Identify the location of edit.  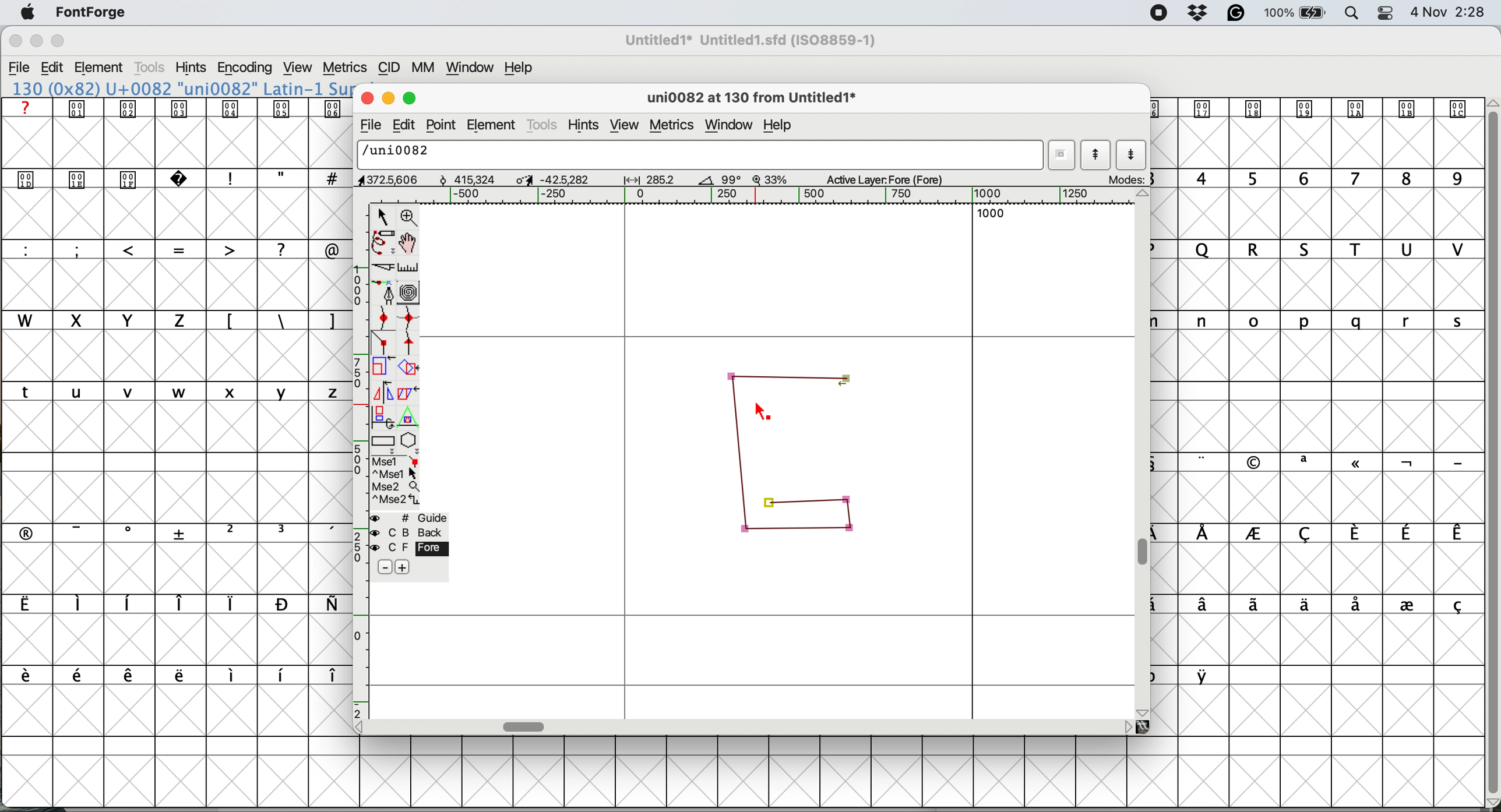
(403, 126).